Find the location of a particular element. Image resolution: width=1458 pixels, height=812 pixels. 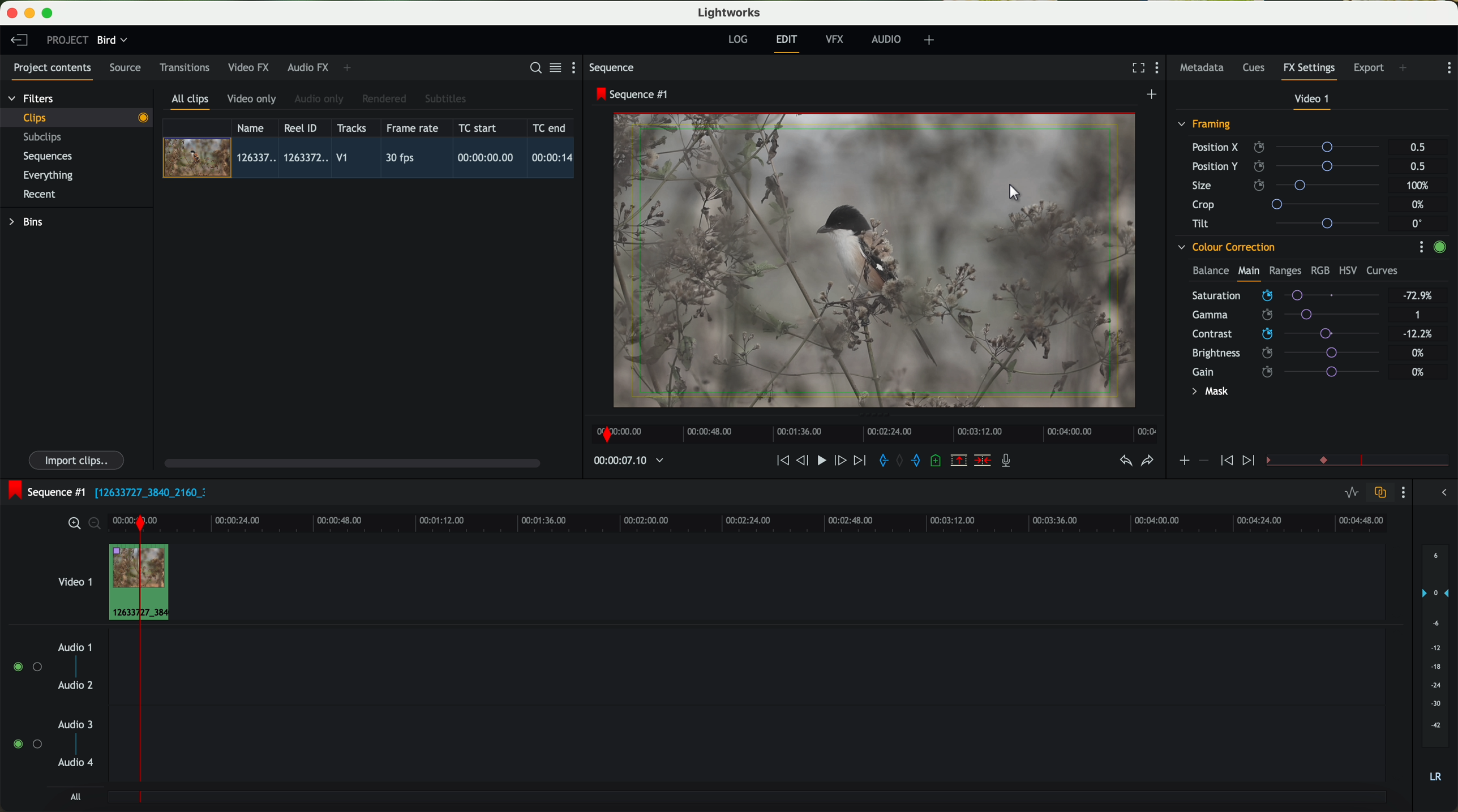

zoom out is located at coordinates (96, 525).